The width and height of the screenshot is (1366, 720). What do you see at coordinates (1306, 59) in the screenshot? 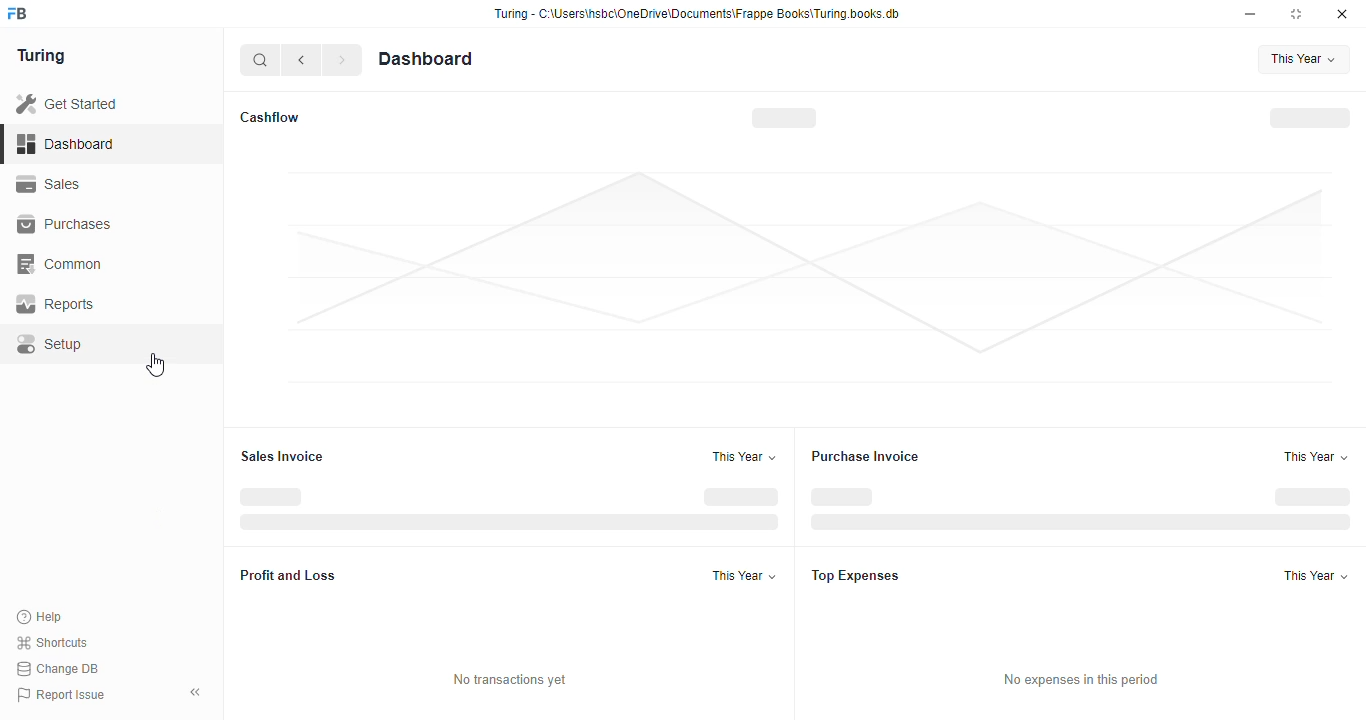
I see `this year` at bounding box center [1306, 59].